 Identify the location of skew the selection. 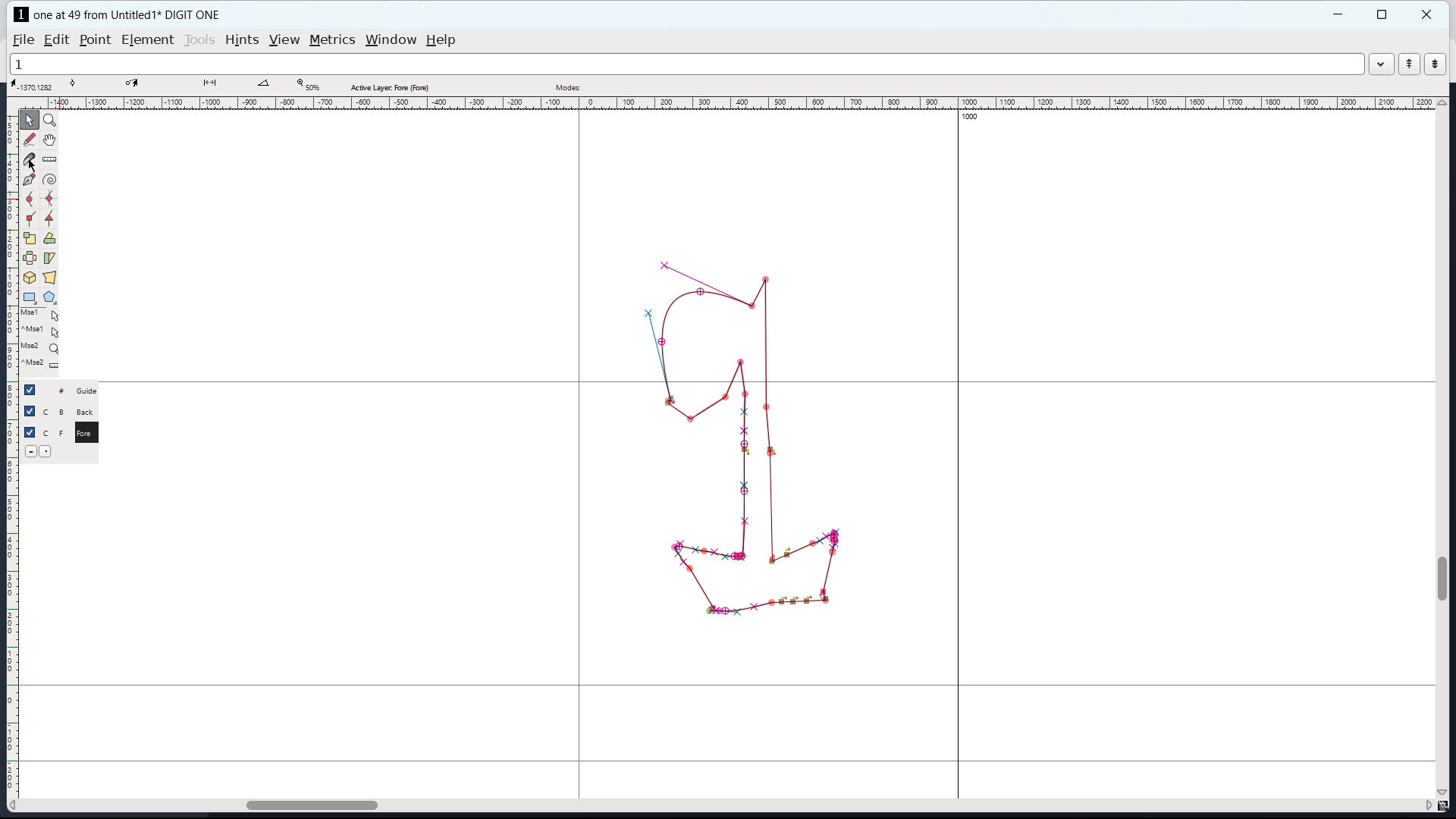
(50, 258).